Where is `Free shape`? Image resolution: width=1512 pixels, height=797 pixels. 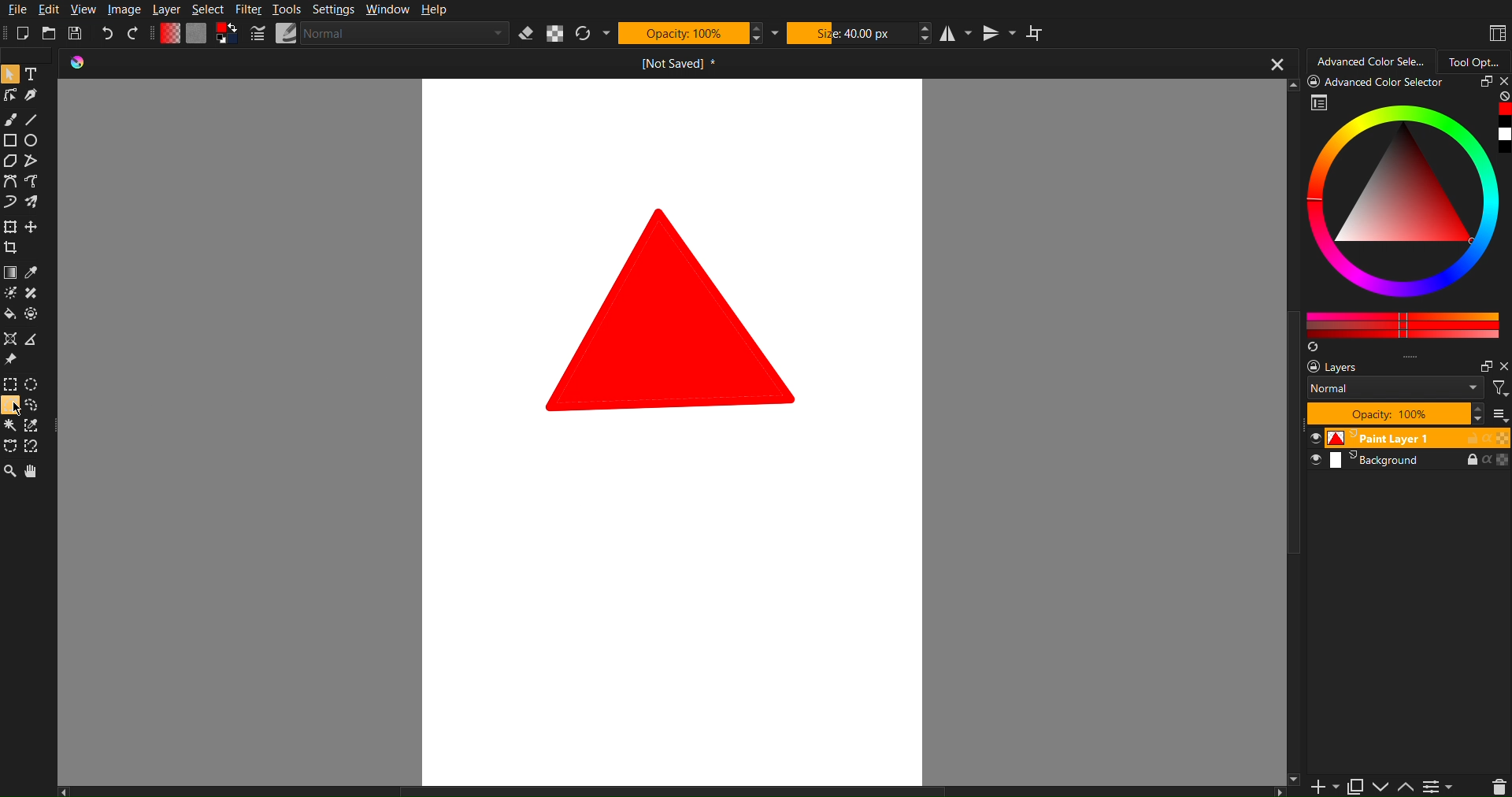
Free shape is located at coordinates (32, 202).